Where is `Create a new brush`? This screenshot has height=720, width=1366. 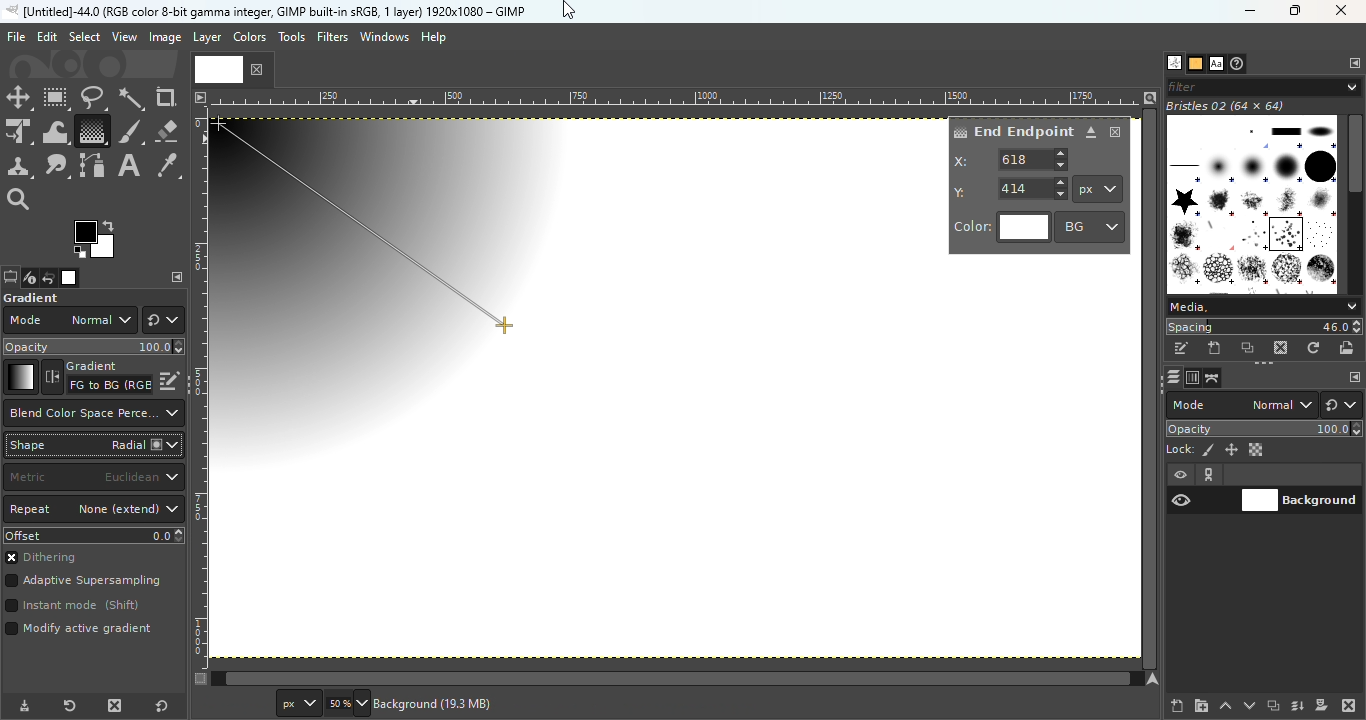 Create a new brush is located at coordinates (1216, 348).